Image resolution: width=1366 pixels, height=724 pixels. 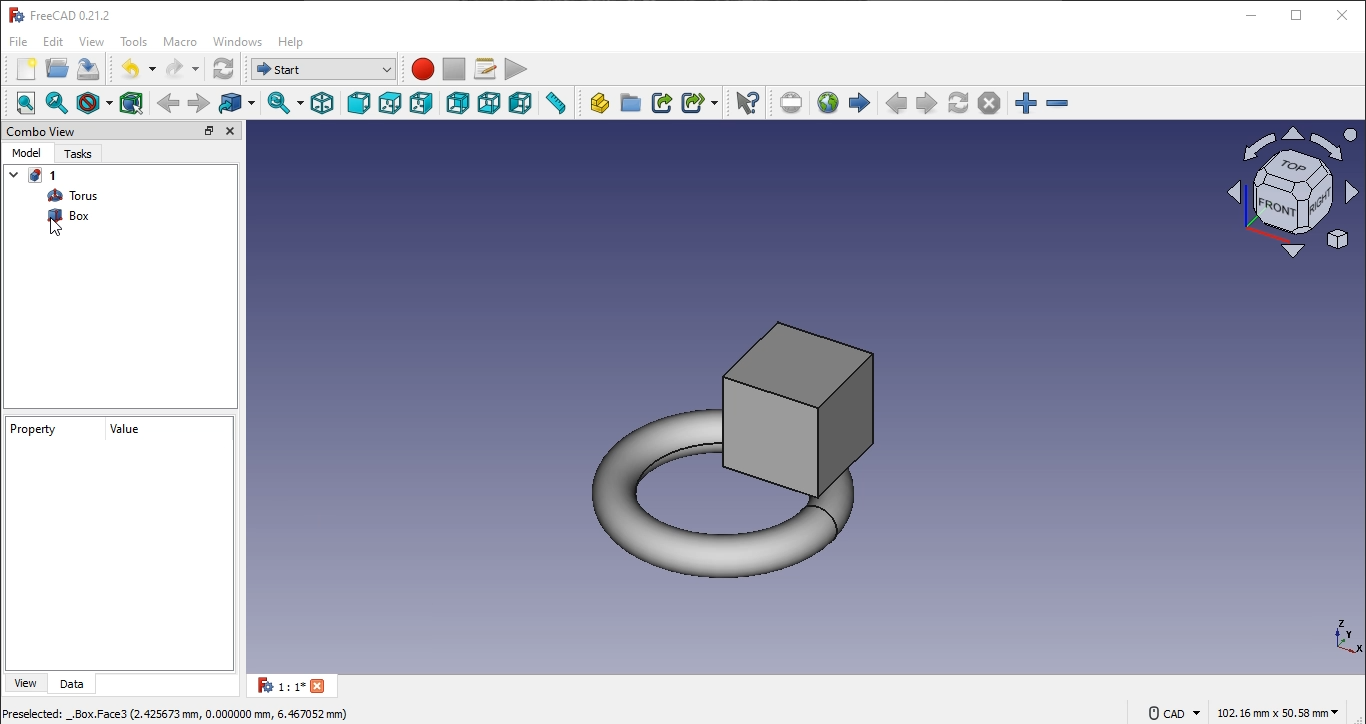 I want to click on macros, so click(x=483, y=70).